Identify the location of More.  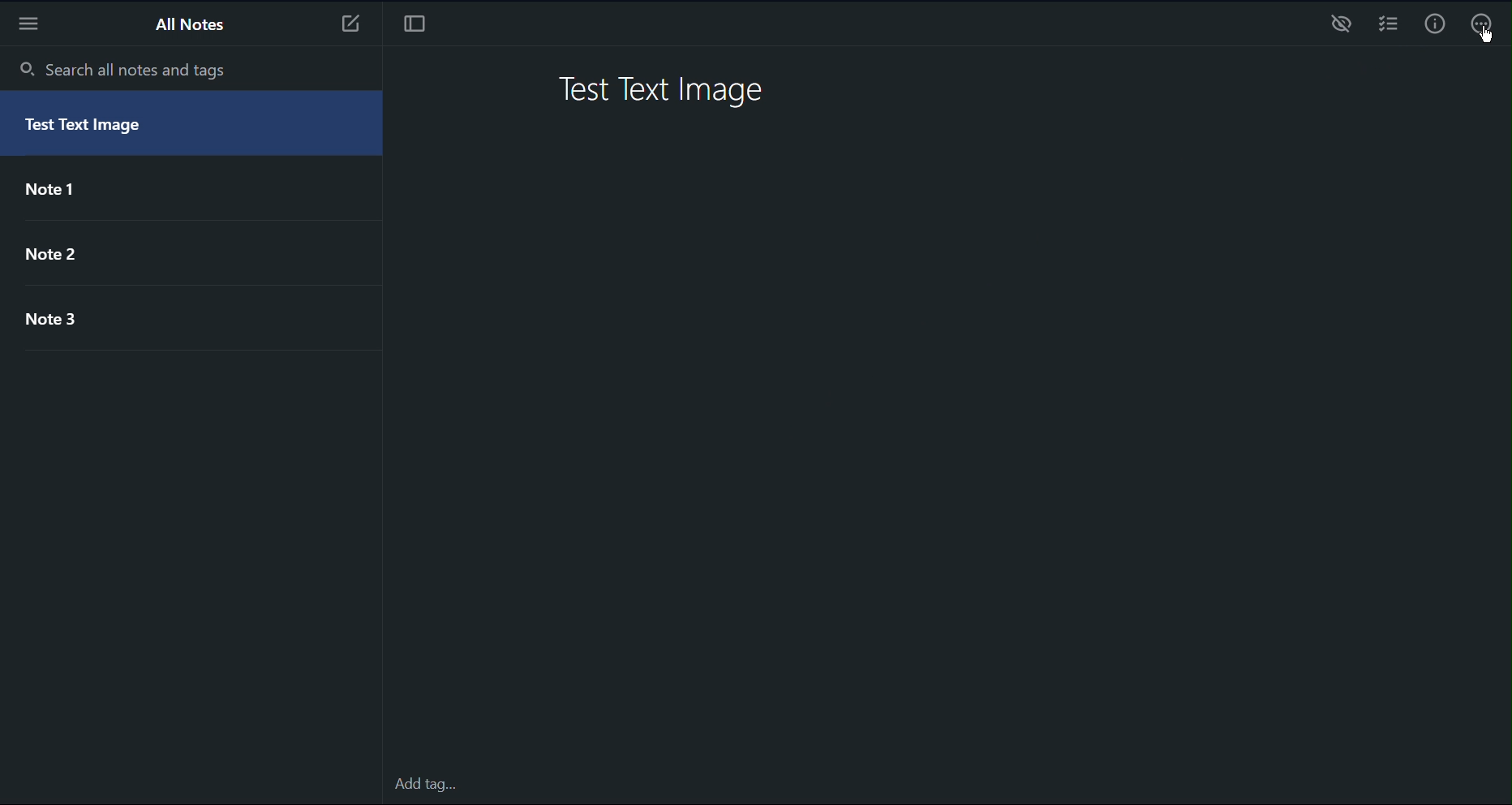
(32, 24).